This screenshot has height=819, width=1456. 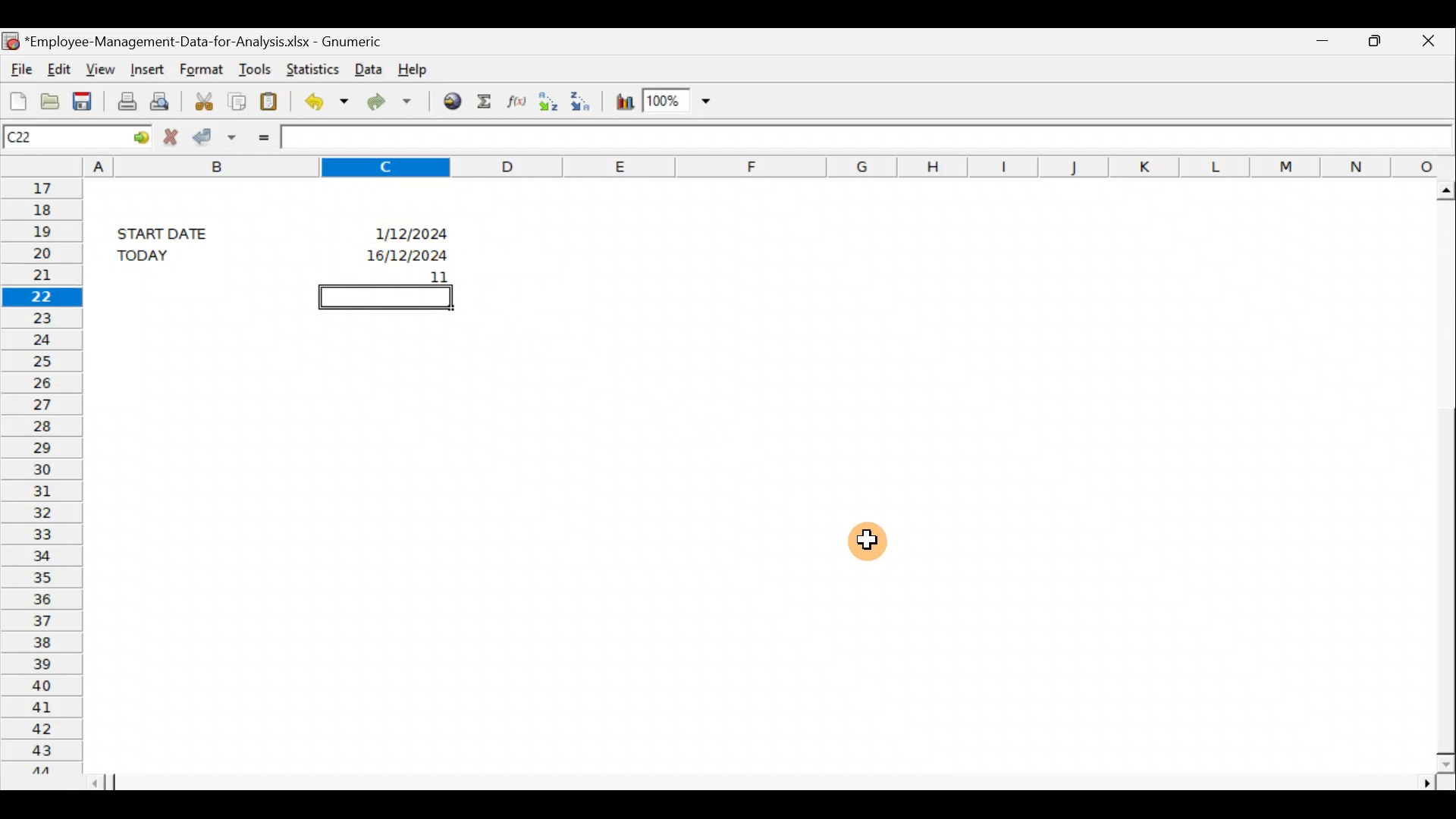 What do you see at coordinates (386, 101) in the screenshot?
I see `Redo undone action` at bounding box center [386, 101].